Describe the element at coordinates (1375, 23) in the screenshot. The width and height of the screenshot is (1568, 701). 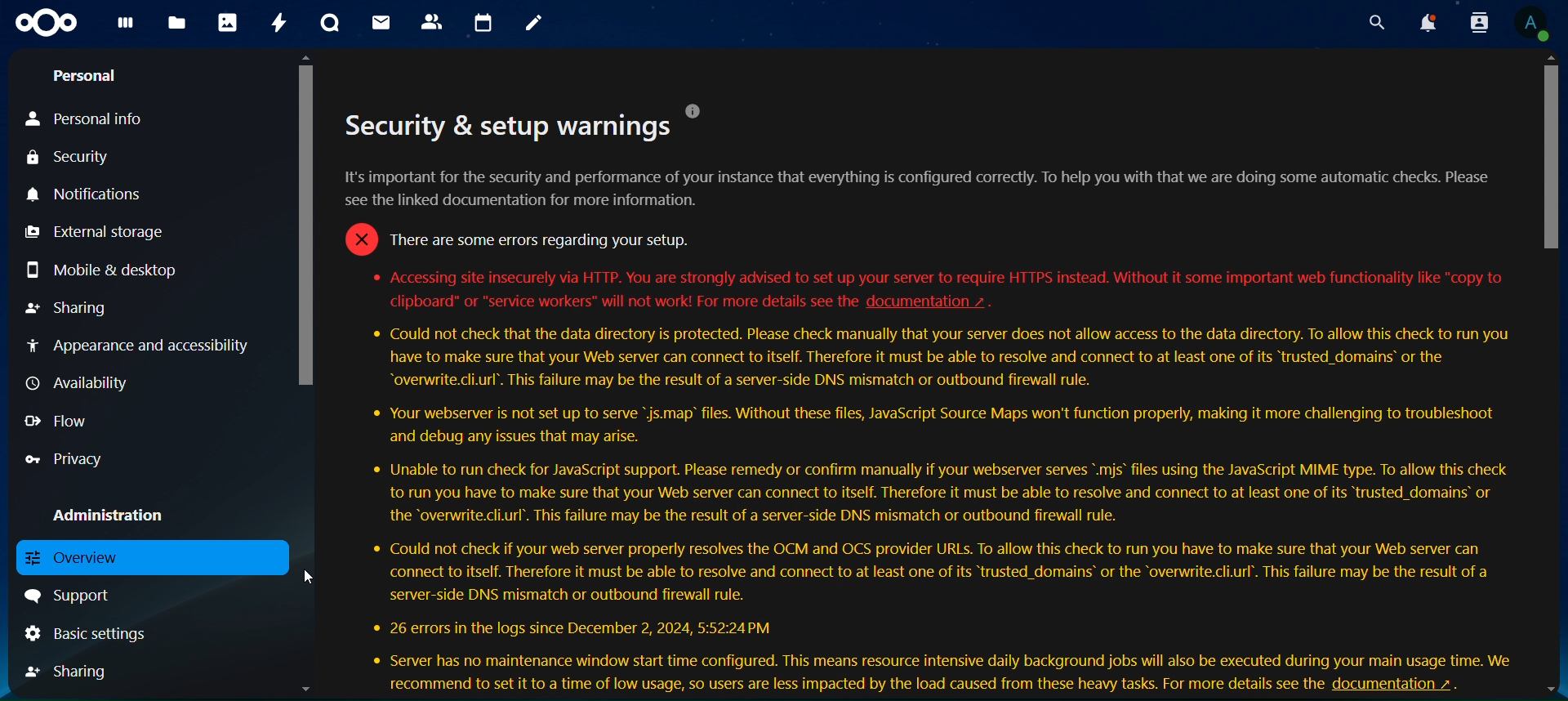
I see `search` at that location.